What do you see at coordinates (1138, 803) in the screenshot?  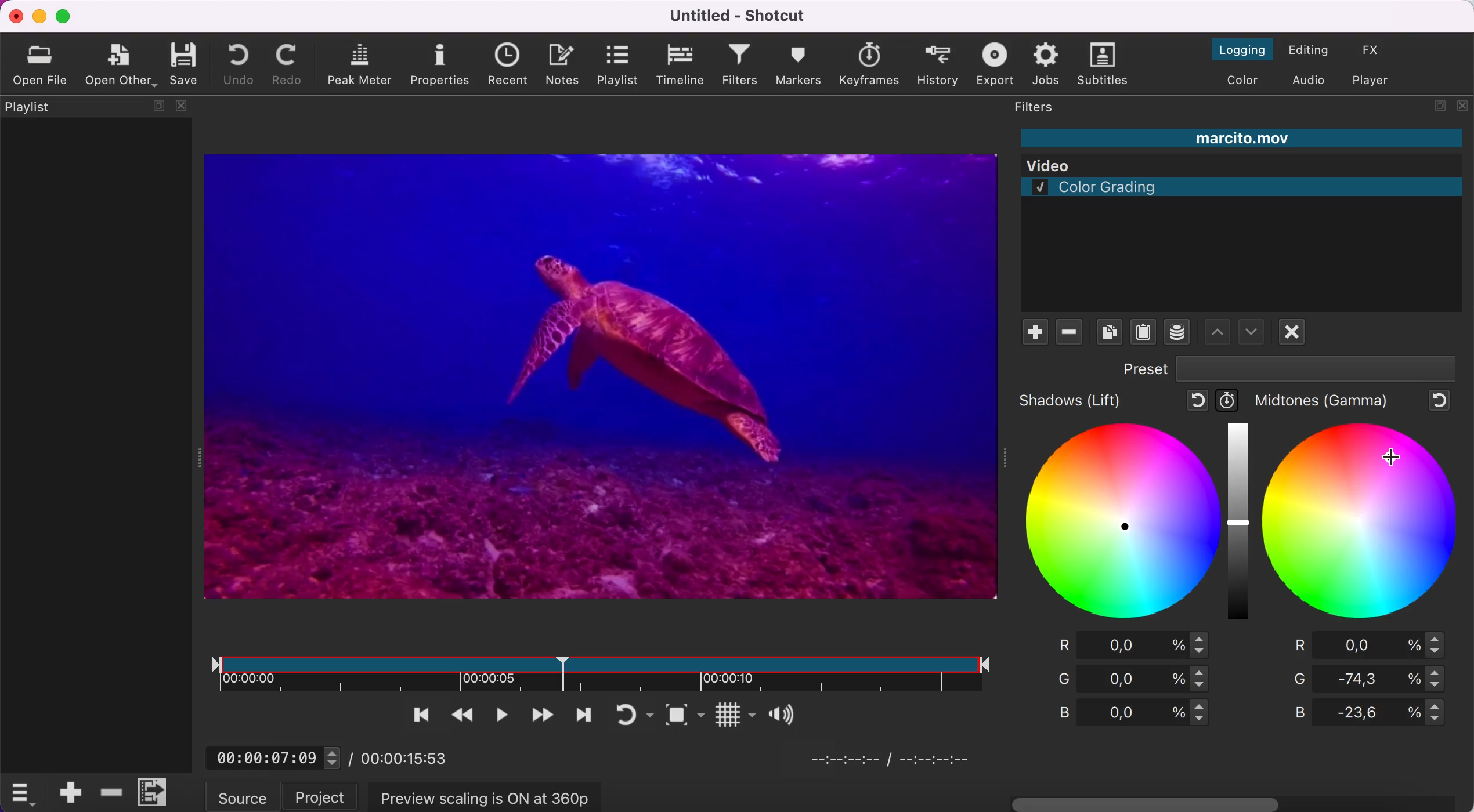 I see `horizontal scroll bar` at bounding box center [1138, 803].